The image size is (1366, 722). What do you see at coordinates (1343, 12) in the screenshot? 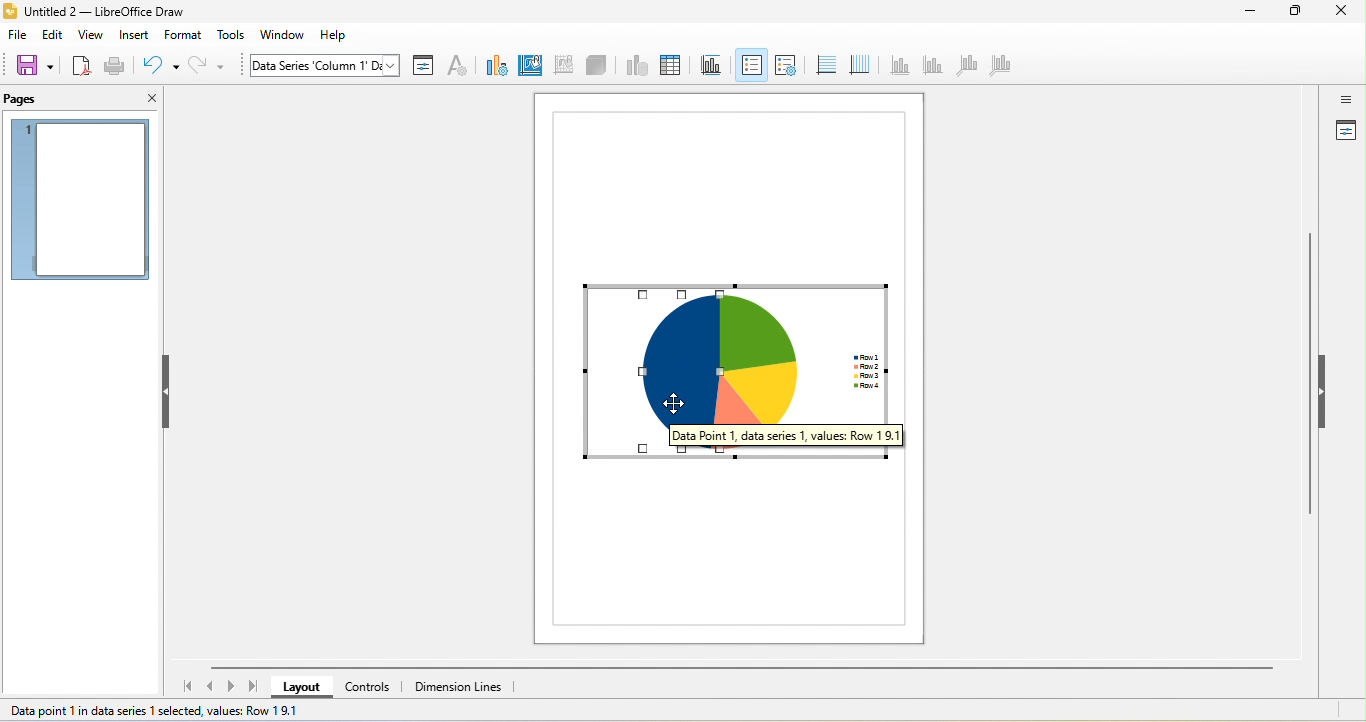
I see `close` at bounding box center [1343, 12].